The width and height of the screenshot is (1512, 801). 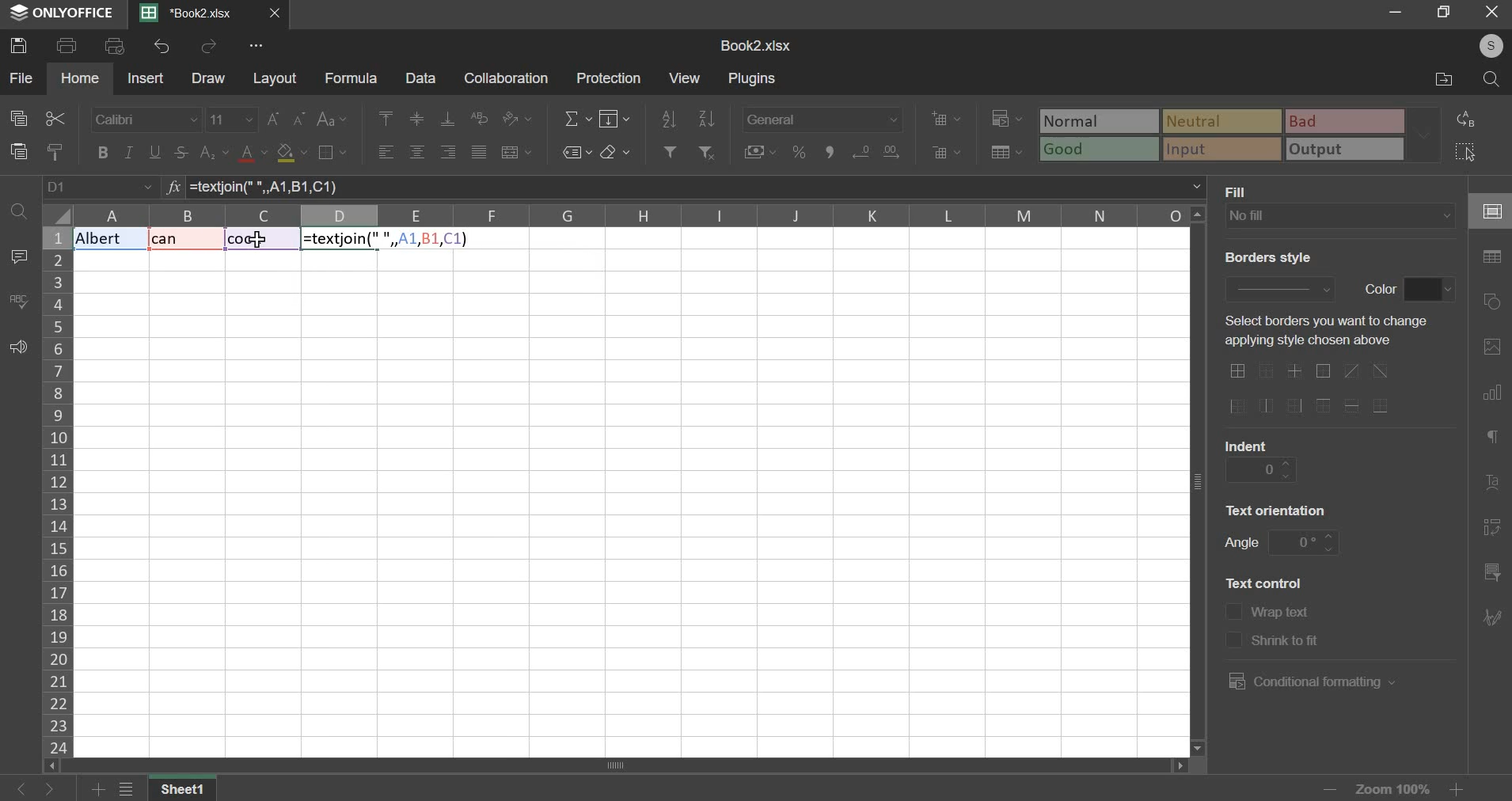 I want to click on =textjoin(" ", A1, B1, C1), so click(x=697, y=187).